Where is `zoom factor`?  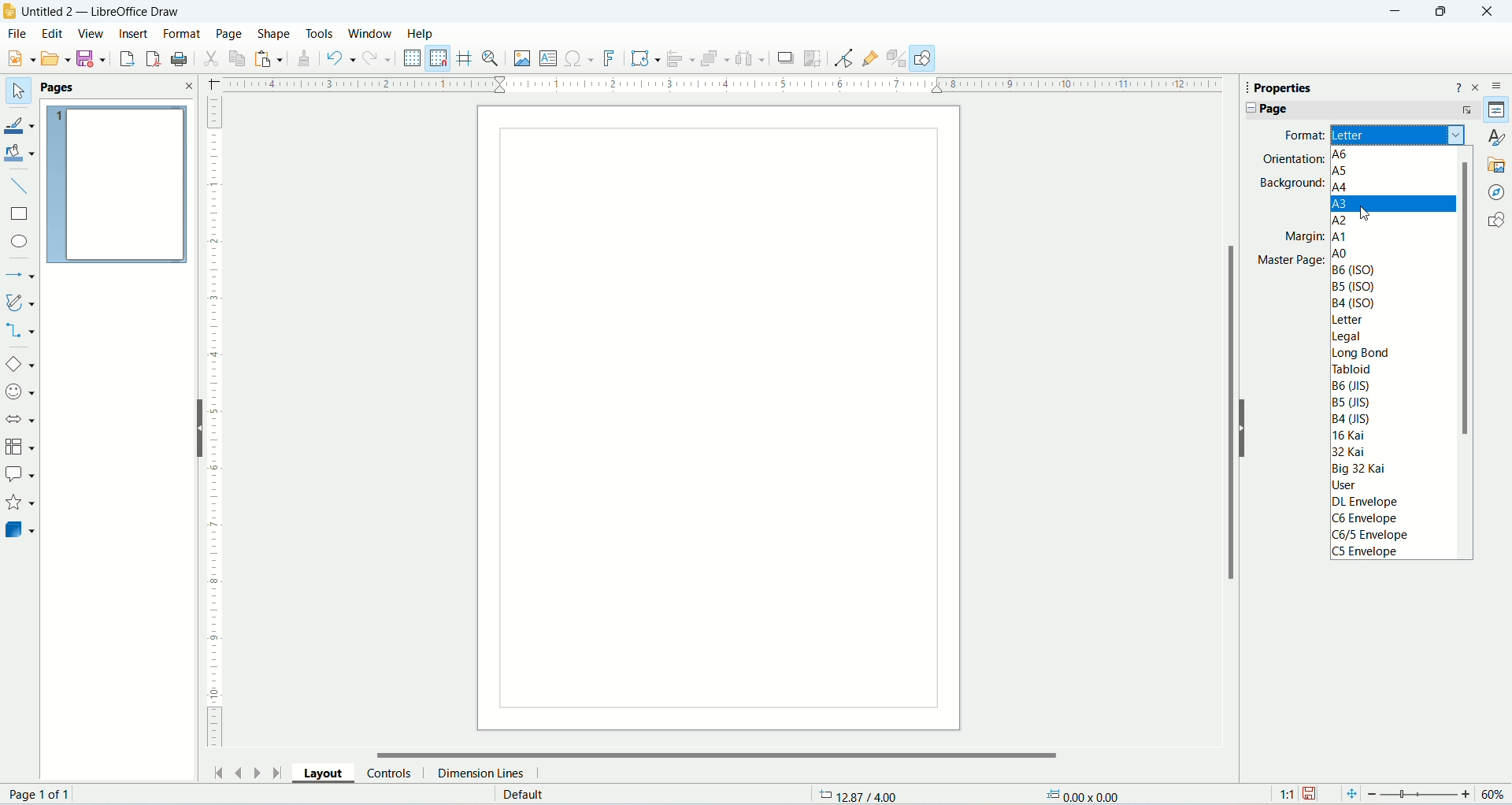
zoom factor is located at coordinates (1439, 794).